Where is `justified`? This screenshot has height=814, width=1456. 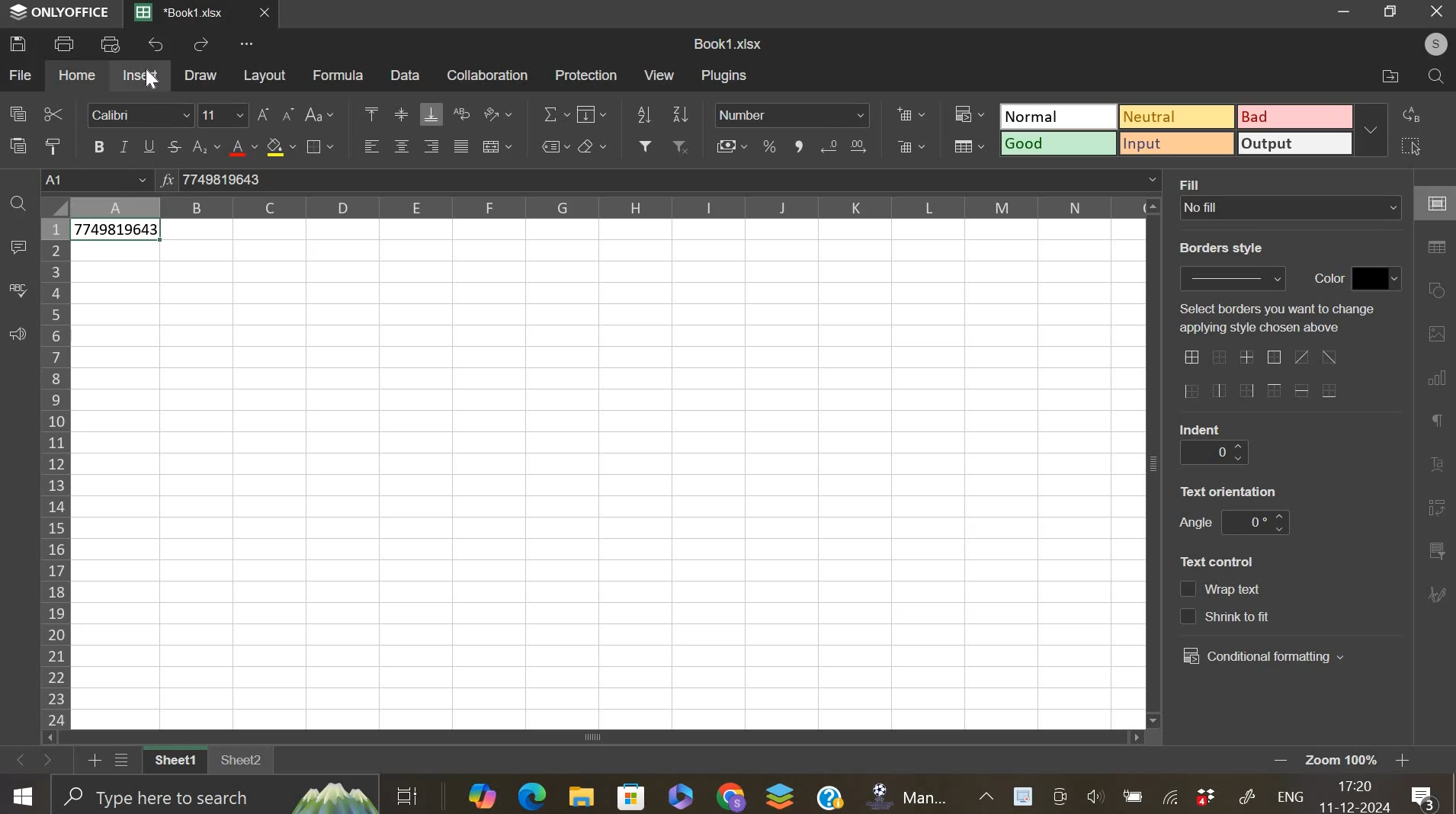 justified is located at coordinates (461, 146).